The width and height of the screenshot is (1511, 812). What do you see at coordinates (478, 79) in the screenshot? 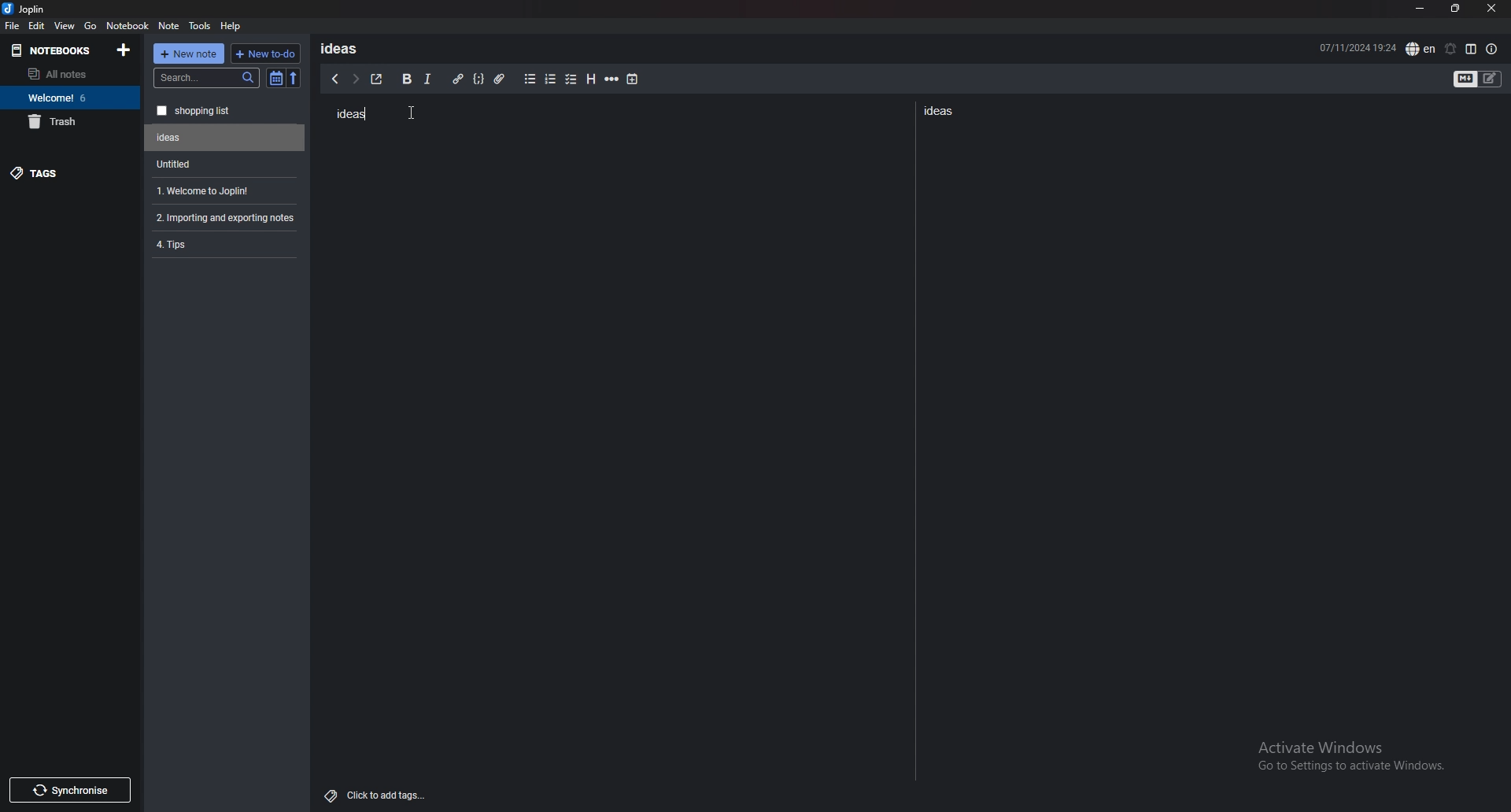
I see `code` at bounding box center [478, 79].